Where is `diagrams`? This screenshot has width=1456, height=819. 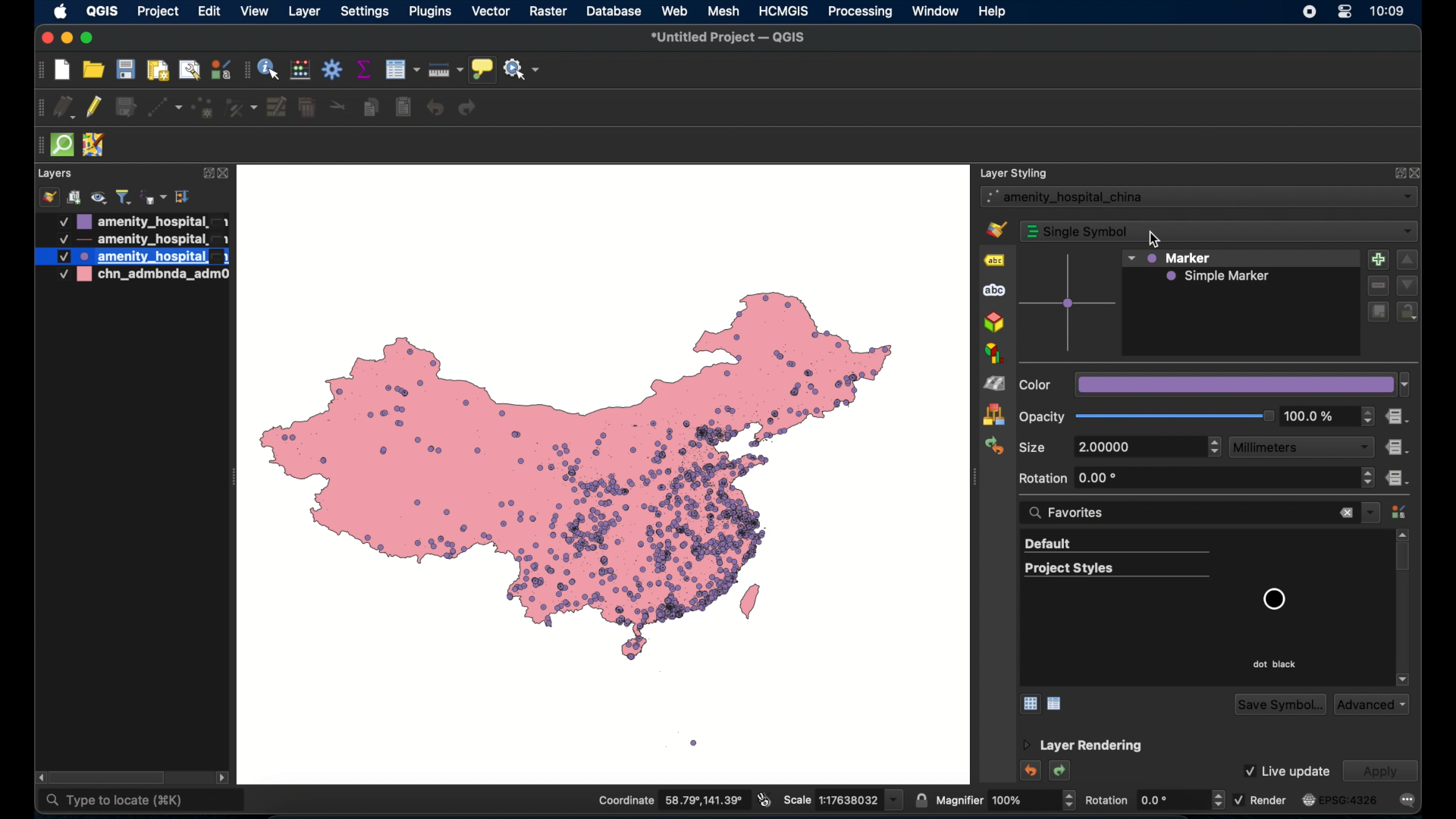 diagrams is located at coordinates (994, 353).